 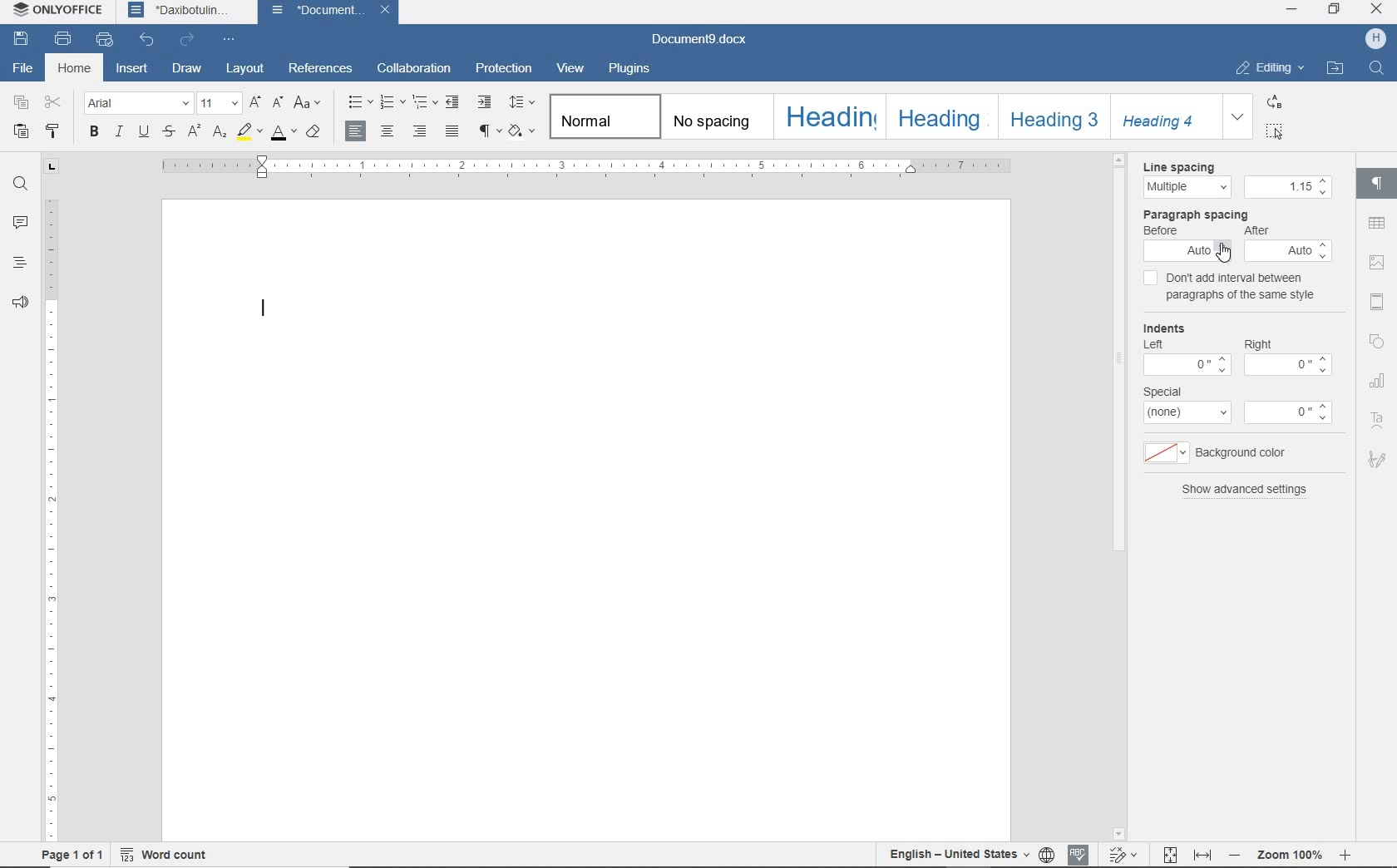 What do you see at coordinates (394, 103) in the screenshot?
I see `numbering` at bounding box center [394, 103].